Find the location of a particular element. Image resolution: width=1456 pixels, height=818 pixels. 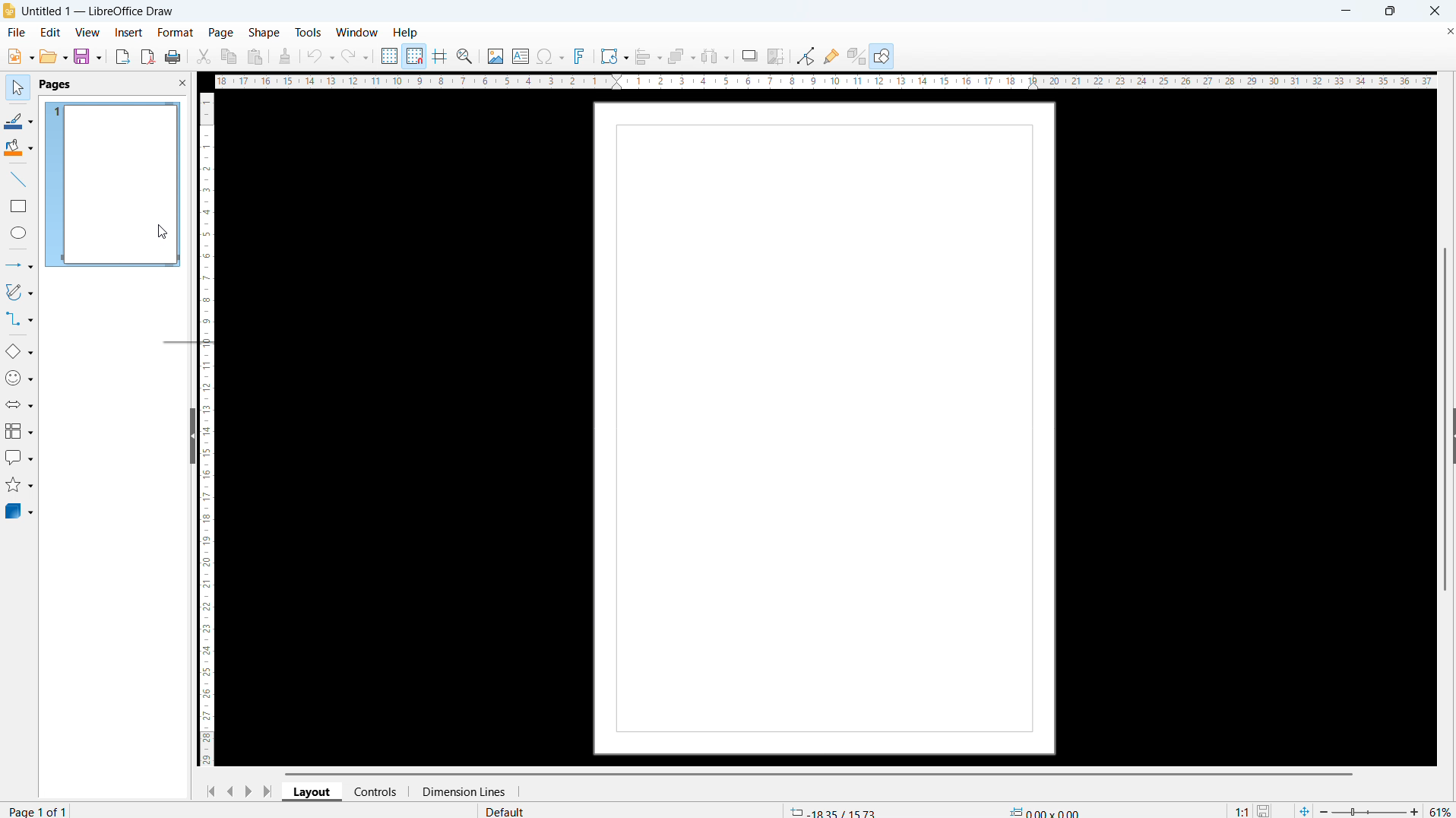

vertical ruler is located at coordinates (207, 430).